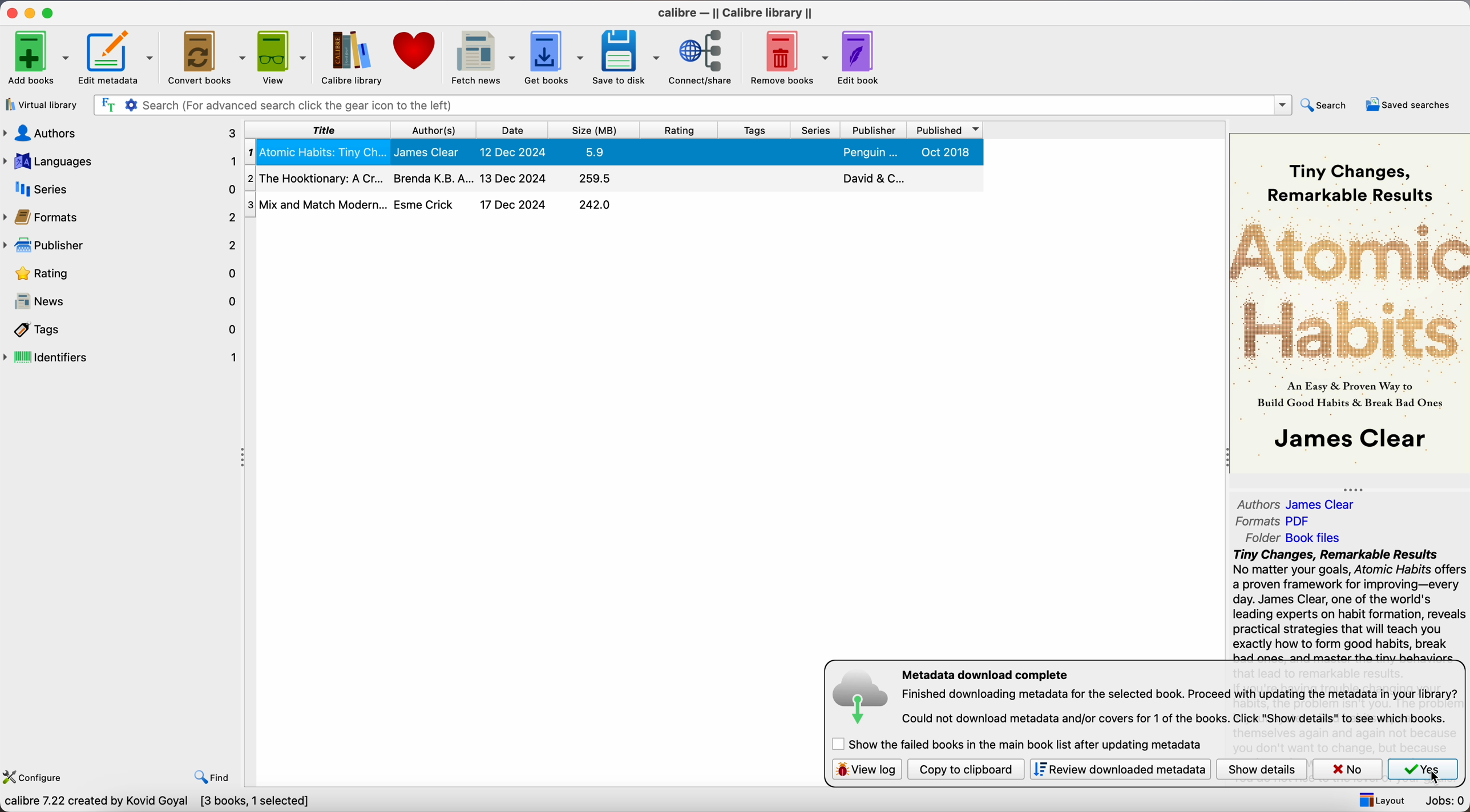 This screenshot has width=1470, height=812. What do you see at coordinates (967, 770) in the screenshot?
I see `copy to clipboard` at bounding box center [967, 770].